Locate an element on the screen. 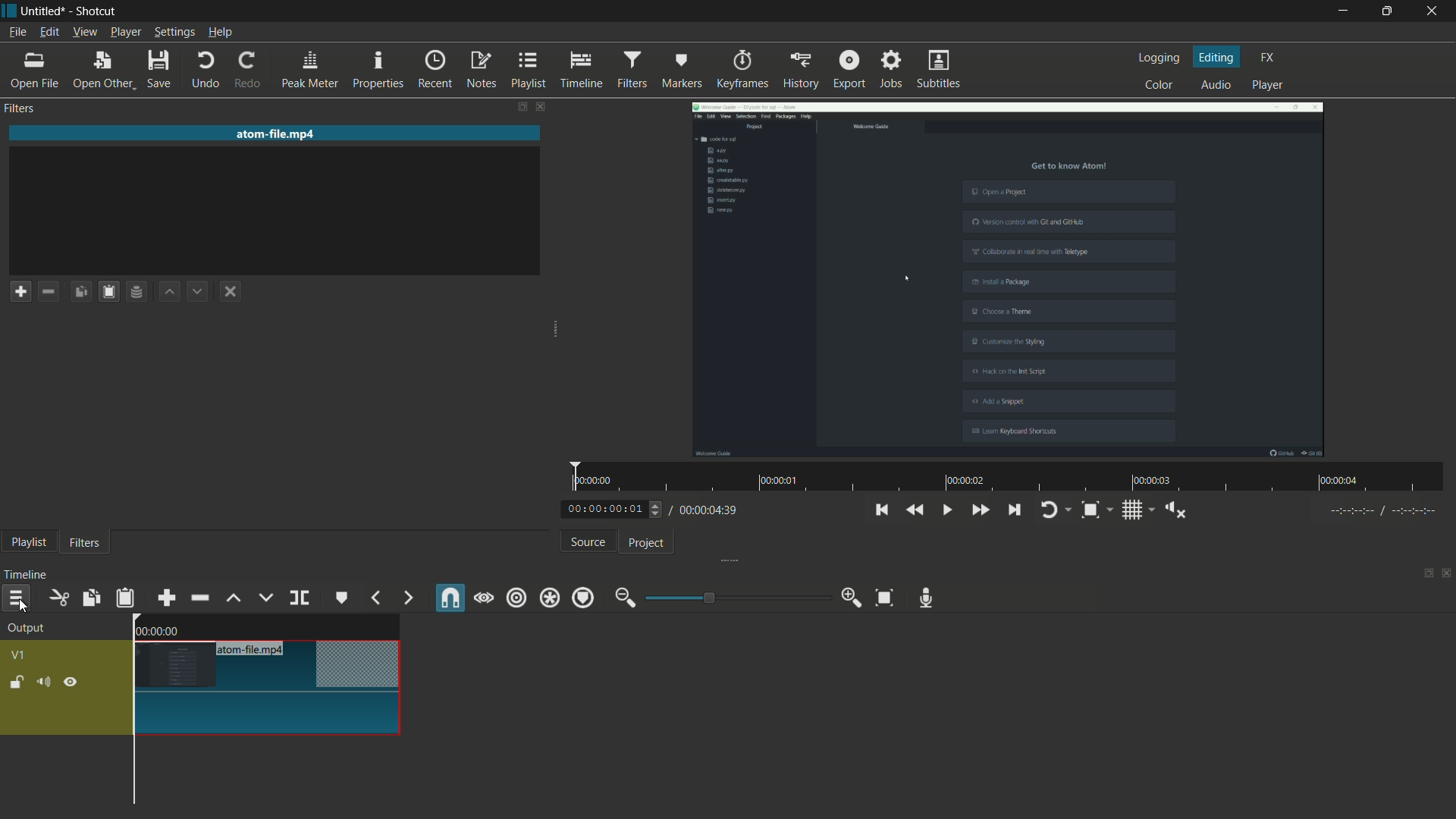 The height and width of the screenshot is (819, 1456). cut is located at coordinates (58, 598).